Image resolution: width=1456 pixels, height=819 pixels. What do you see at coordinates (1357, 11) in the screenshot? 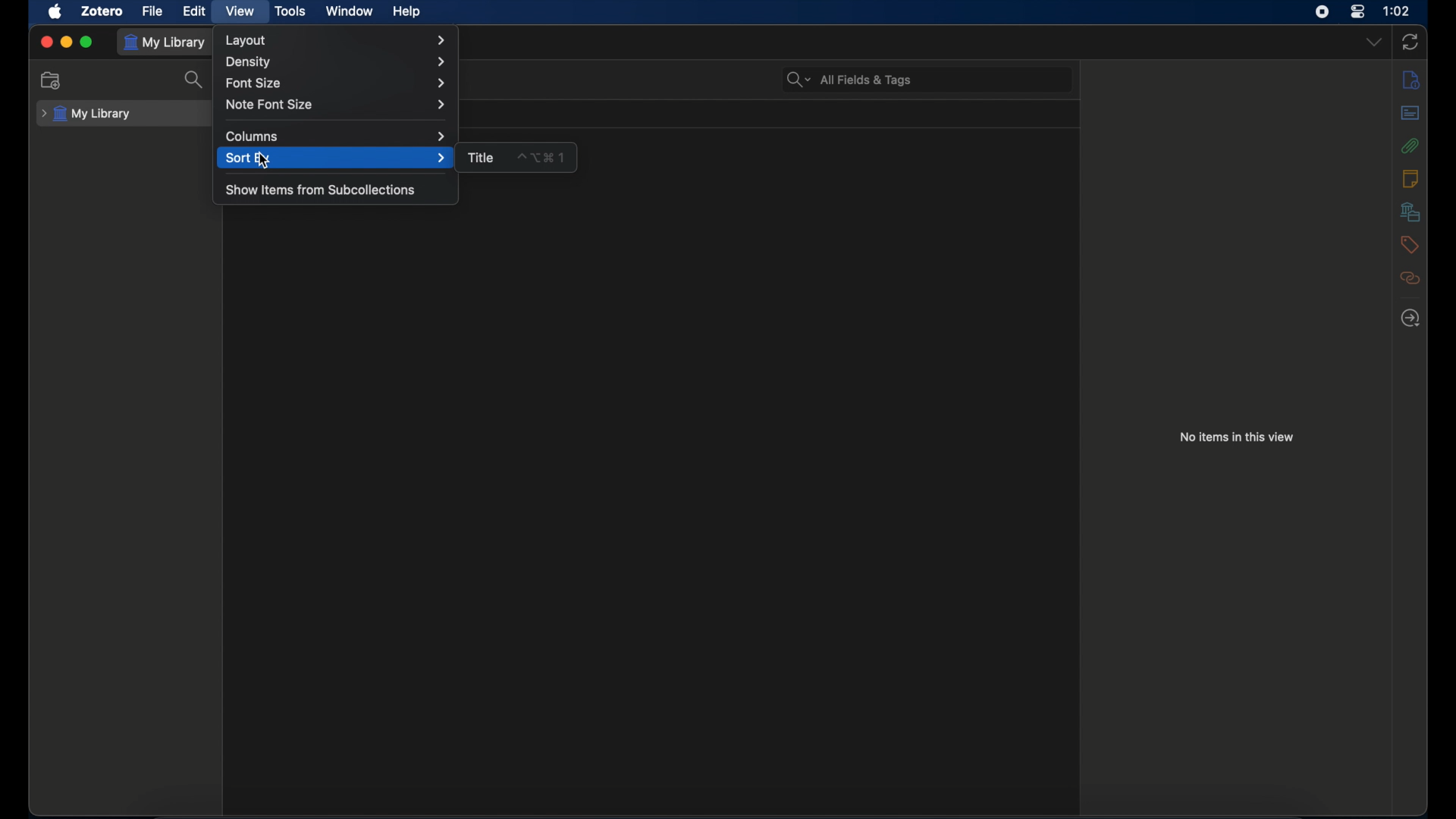
I see `control center` at bounding box center [1357, 11].